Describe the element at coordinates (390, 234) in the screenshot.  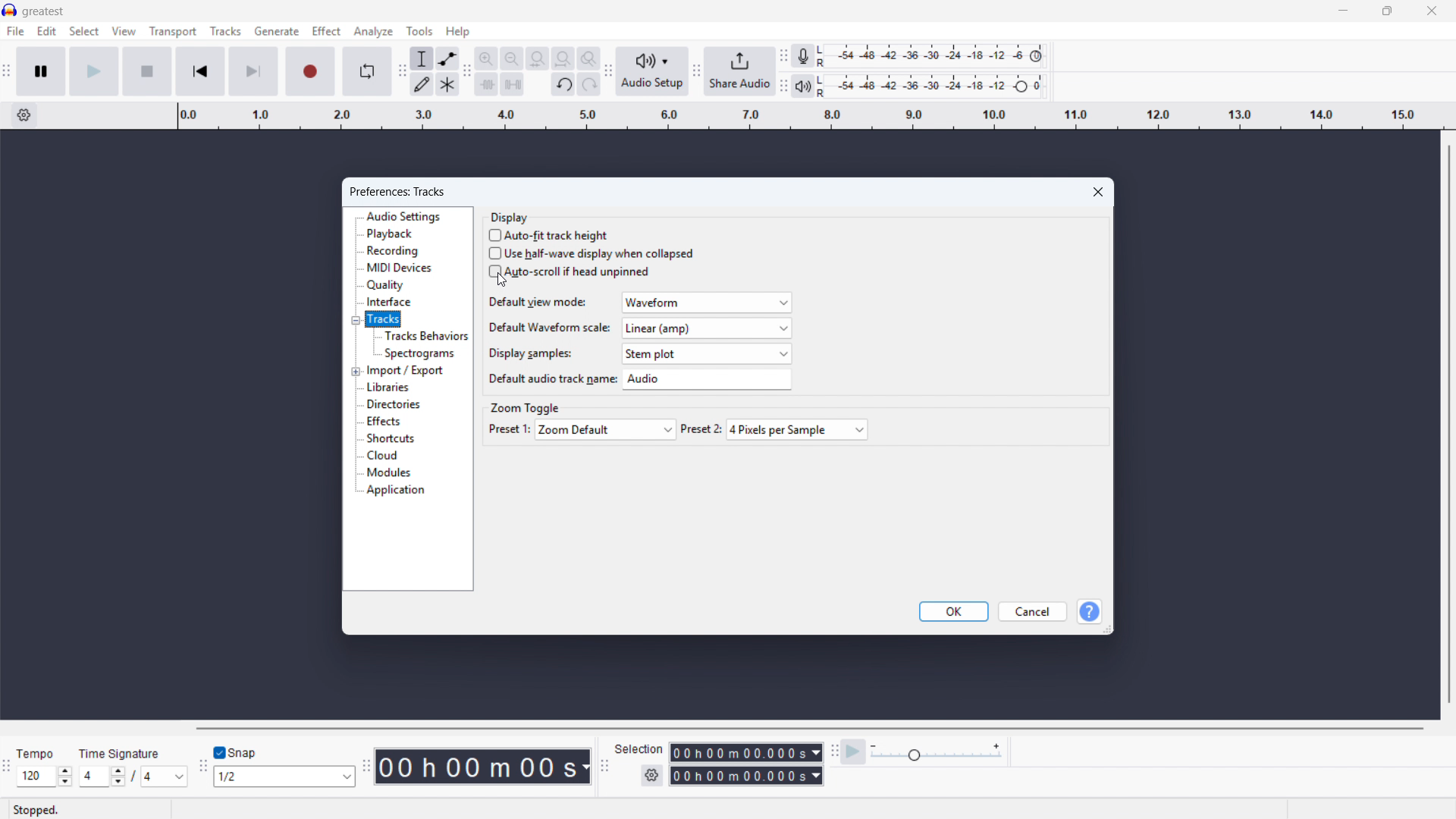
I see `Playback ` at that location.